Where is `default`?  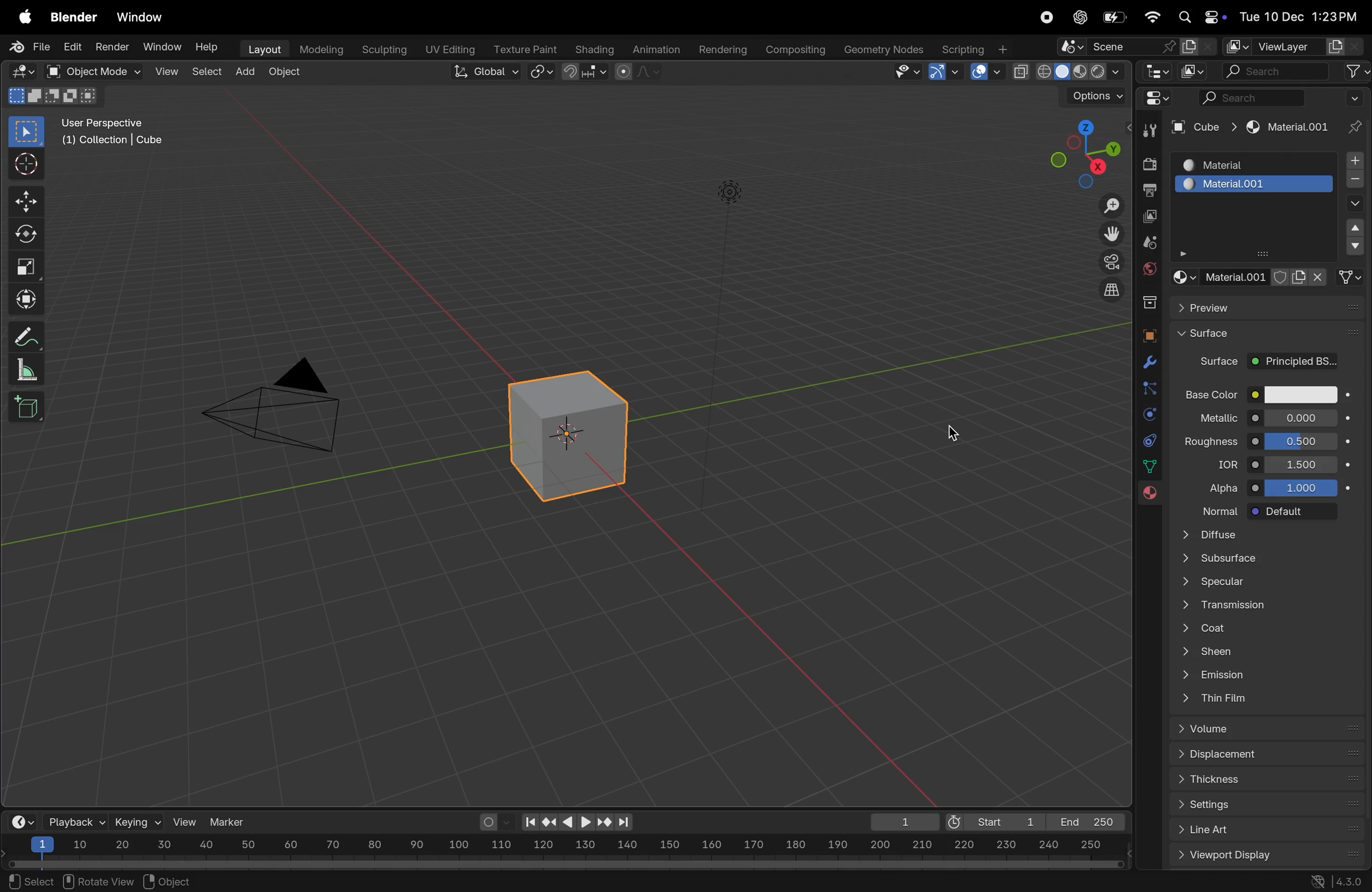
default is located at coordinates (1294, 512).